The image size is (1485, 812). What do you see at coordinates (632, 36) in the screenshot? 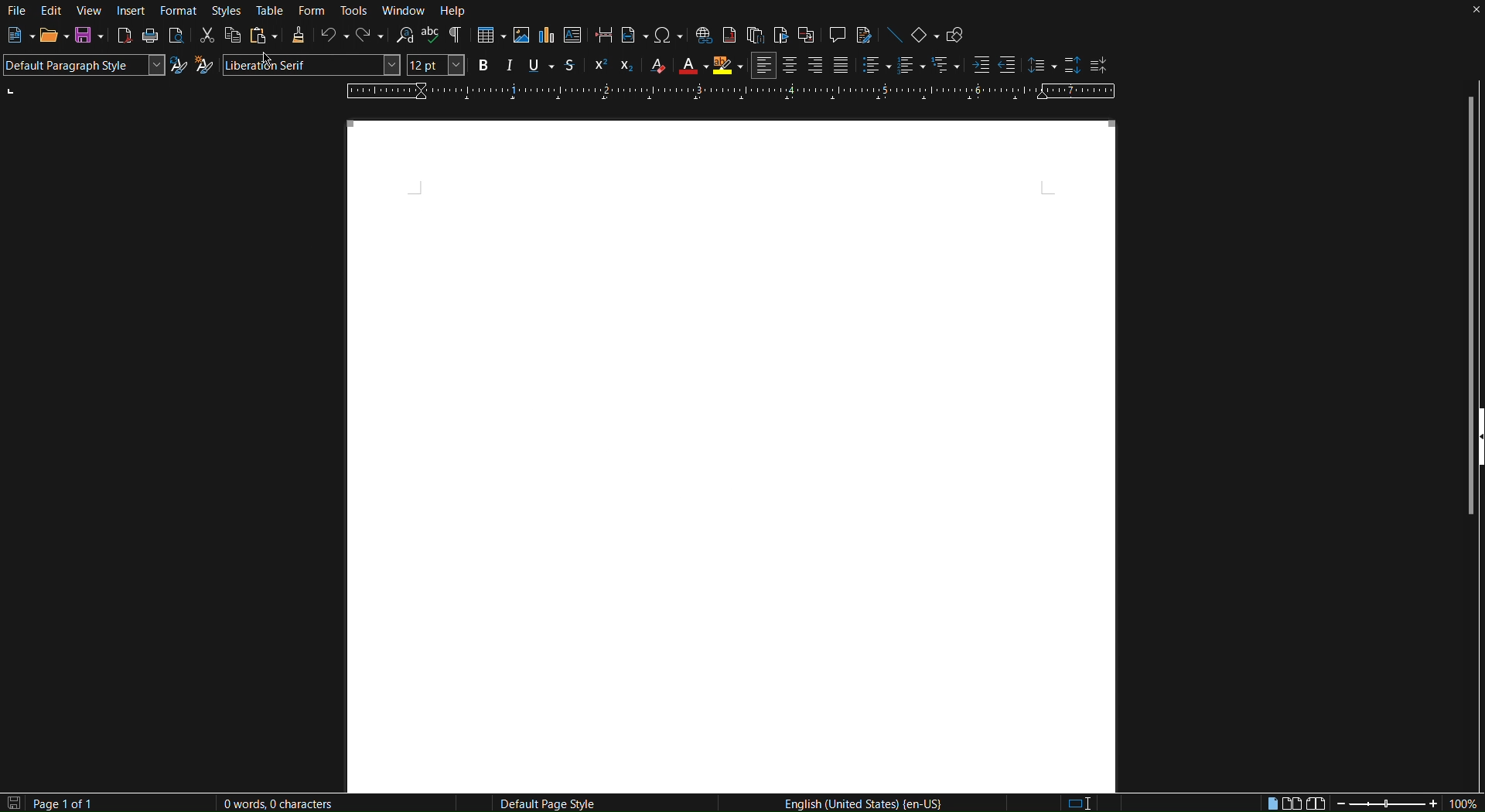
I see `Insert Field` at bounding box center [632, 36].